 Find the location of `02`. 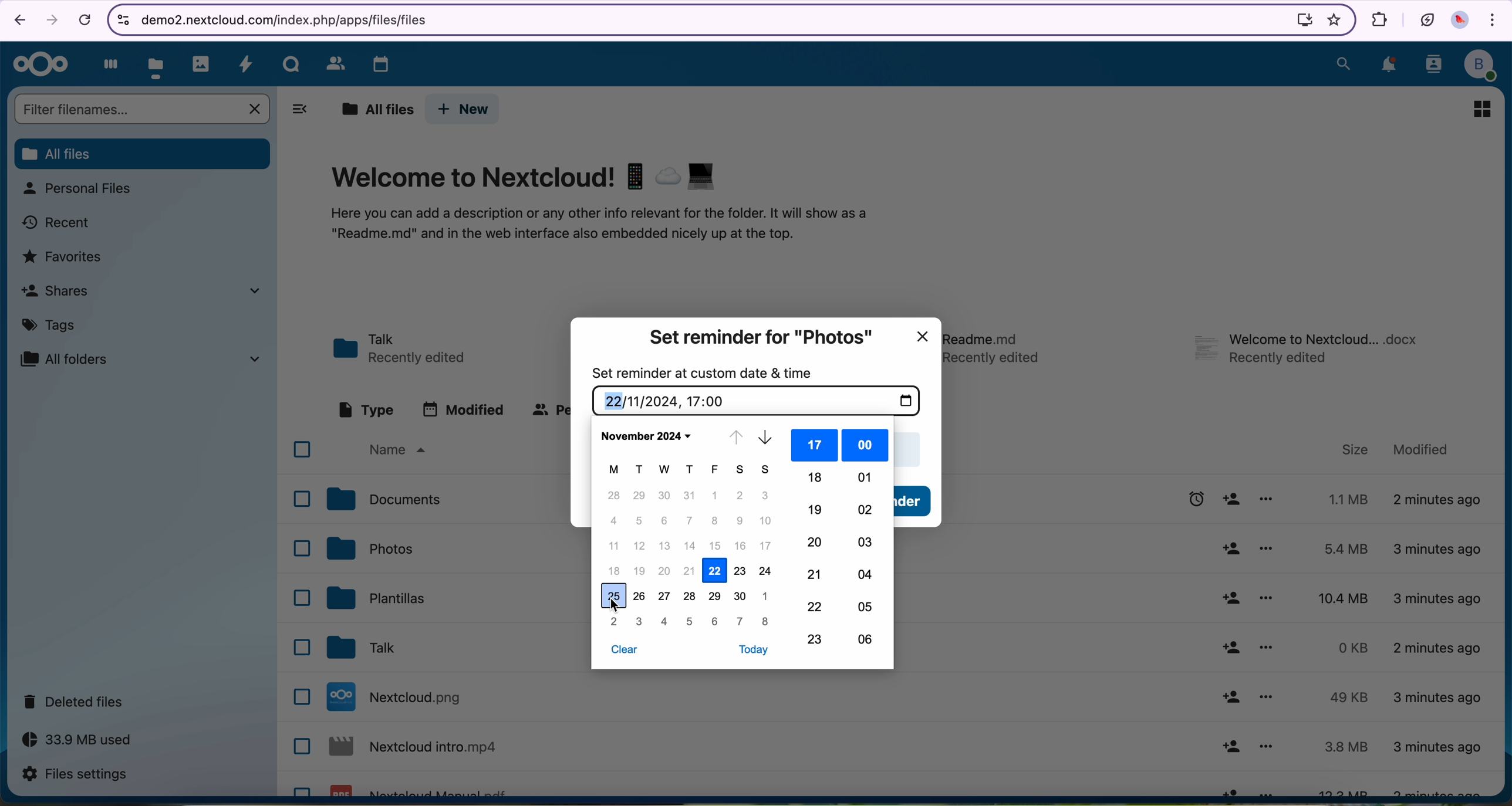

02 is located at coordinates (866, 509).